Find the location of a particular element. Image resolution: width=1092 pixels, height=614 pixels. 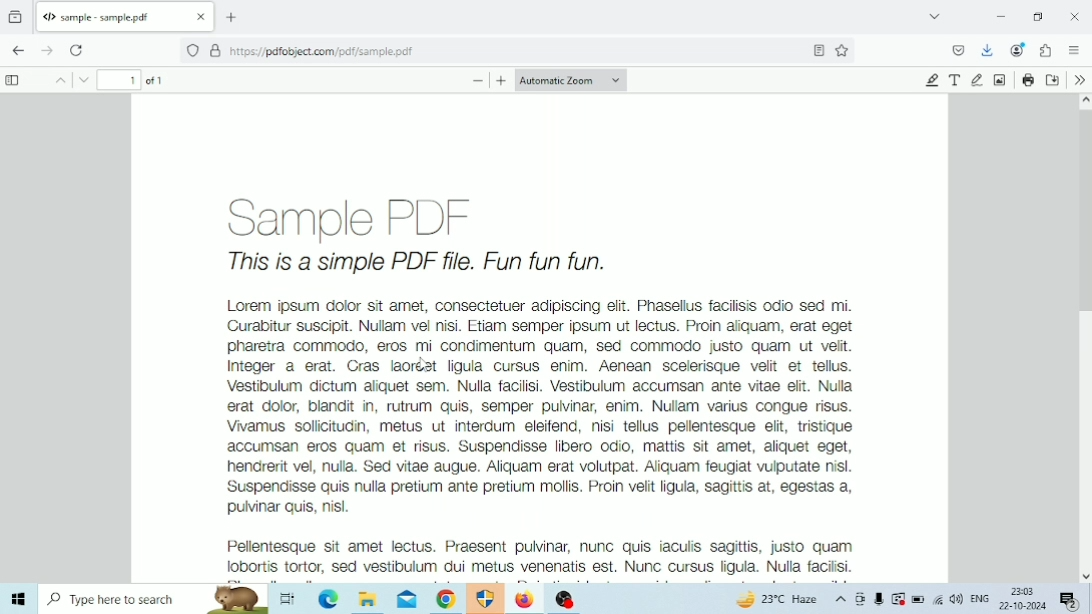

Save to pocket is located at coordinates (959, 50).